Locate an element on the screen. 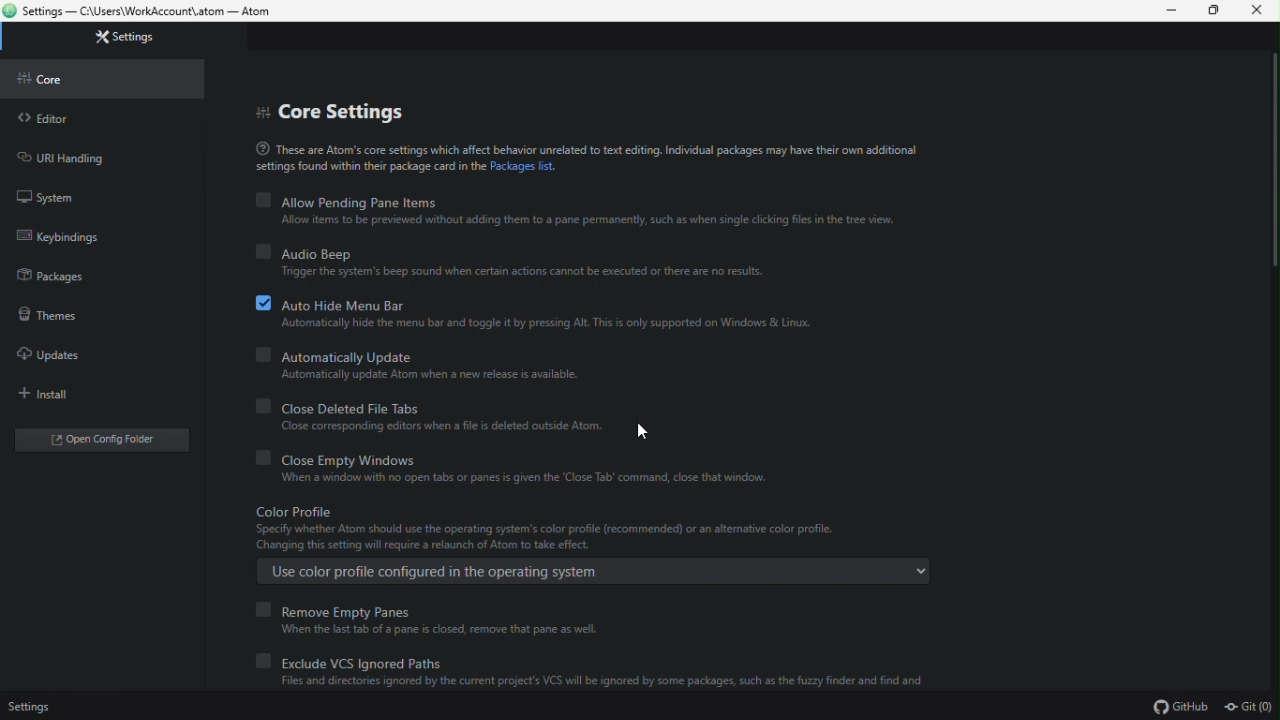  scrollbar is located at coordinates (1276, 159).